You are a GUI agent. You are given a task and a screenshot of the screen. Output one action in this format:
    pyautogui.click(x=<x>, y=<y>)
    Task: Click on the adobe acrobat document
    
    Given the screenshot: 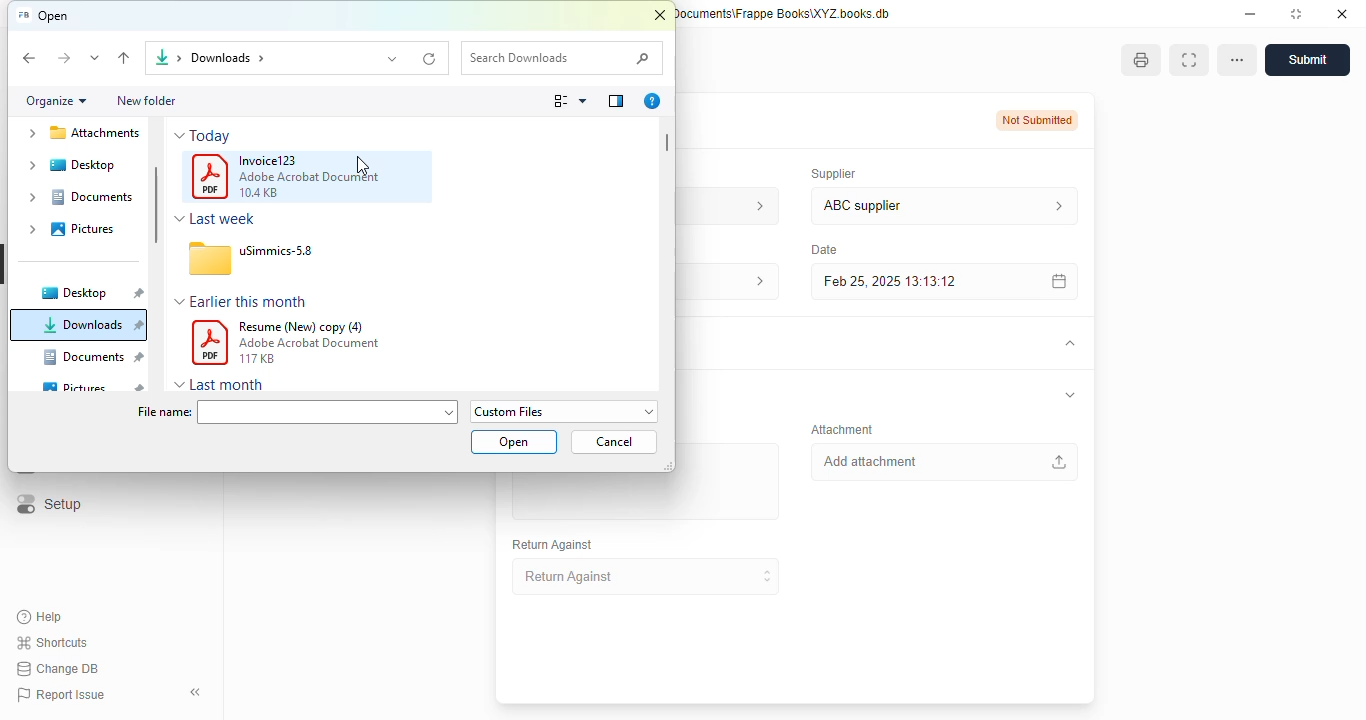 What is the action you would take?
    pyautogui.click(x=309, y=177)
    